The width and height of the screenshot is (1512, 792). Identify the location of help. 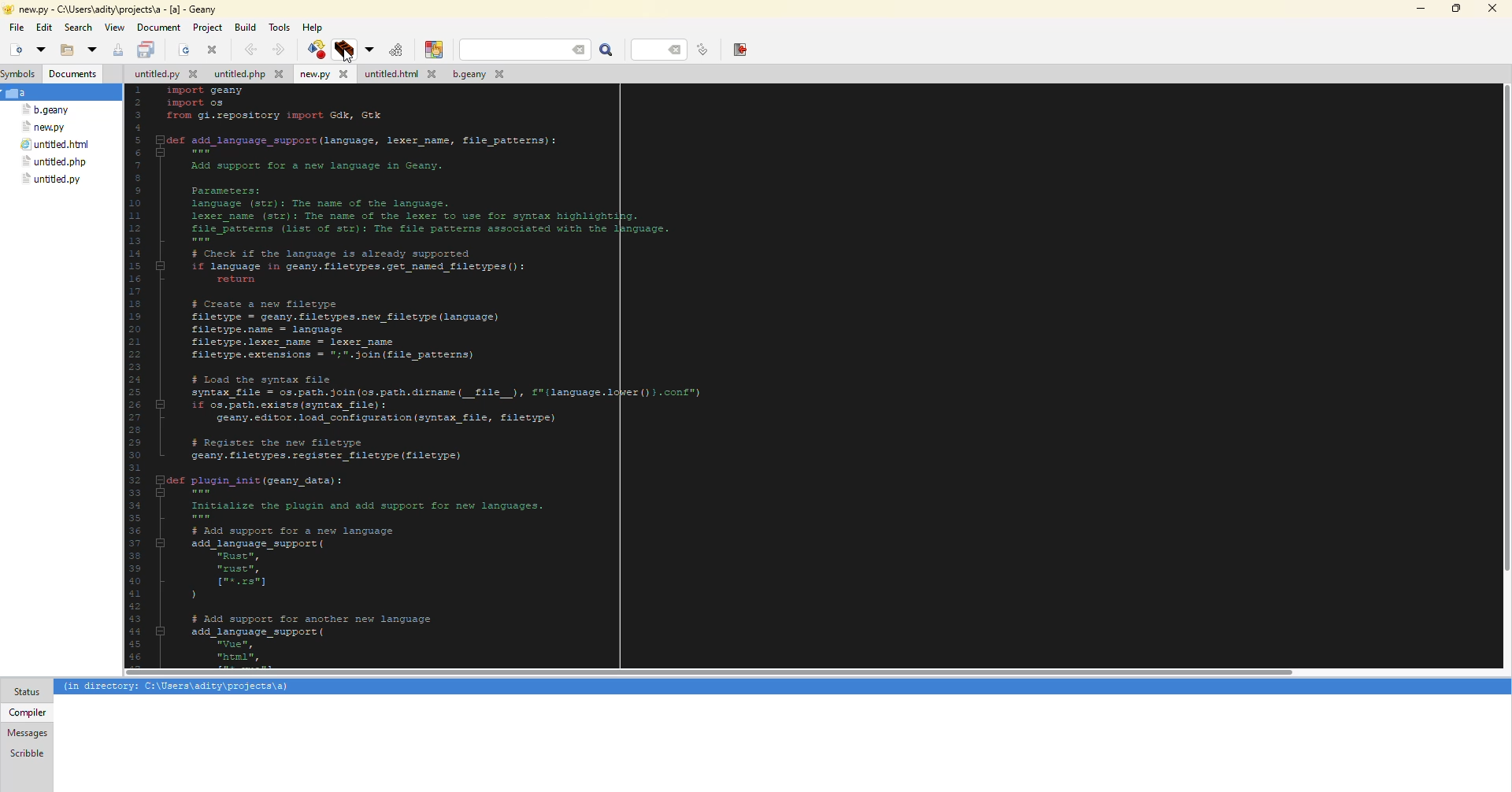
(313, 27).